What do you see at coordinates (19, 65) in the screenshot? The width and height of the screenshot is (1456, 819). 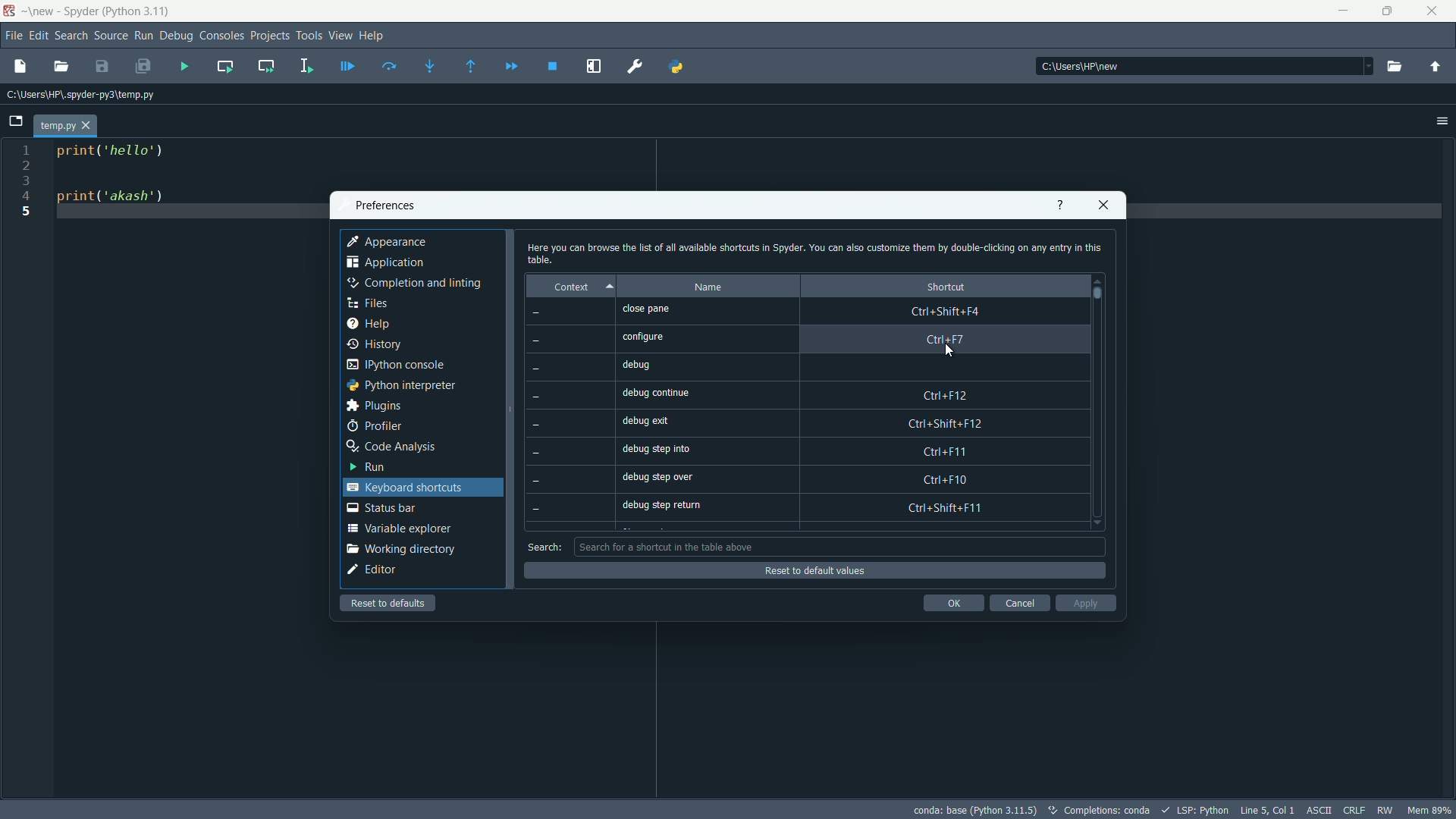 I see `new file` at bounding box center [19, 65].